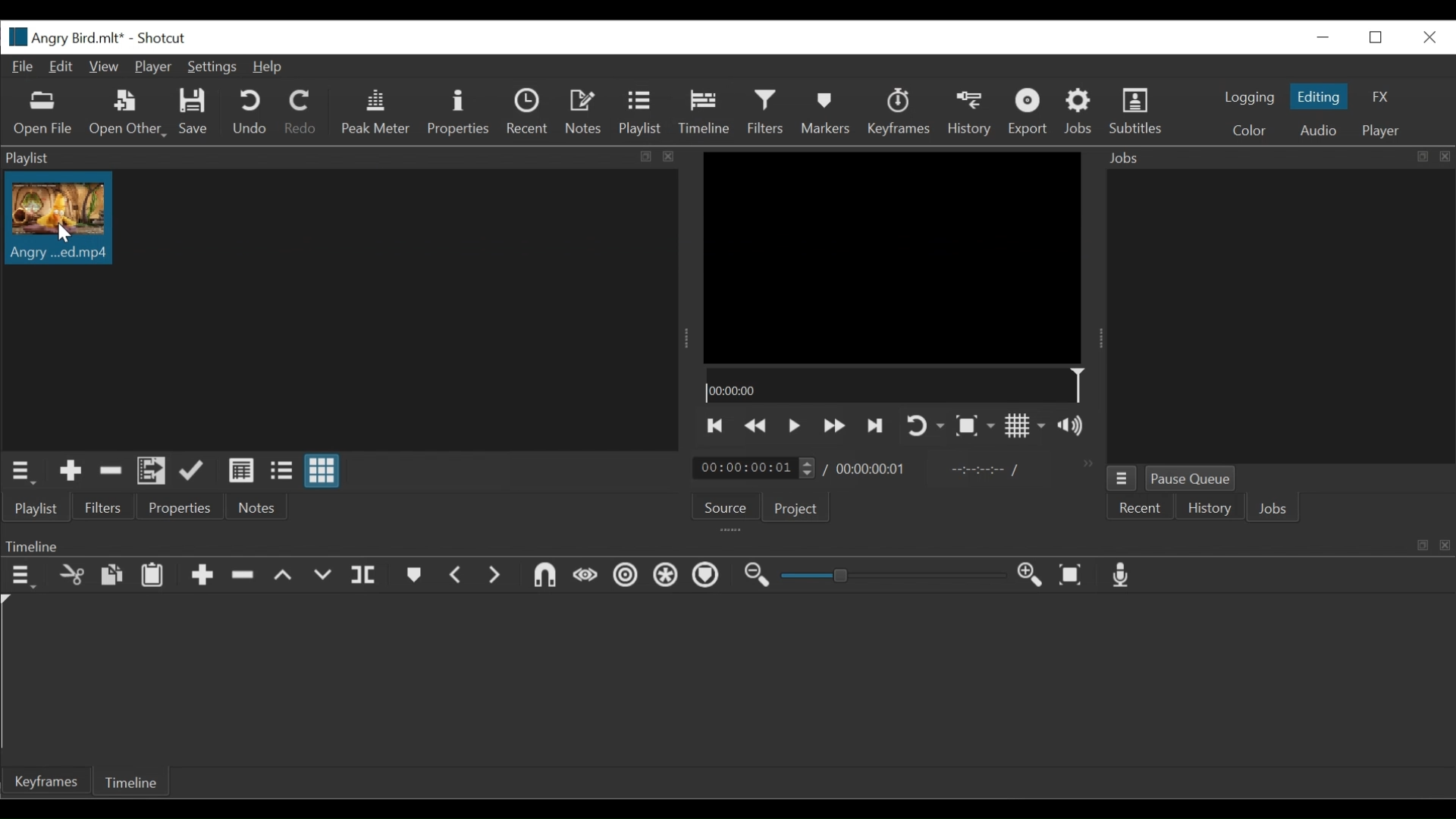  Describe the element at coordinates (194, 112) in the screenshot. I see `Save` at that location.